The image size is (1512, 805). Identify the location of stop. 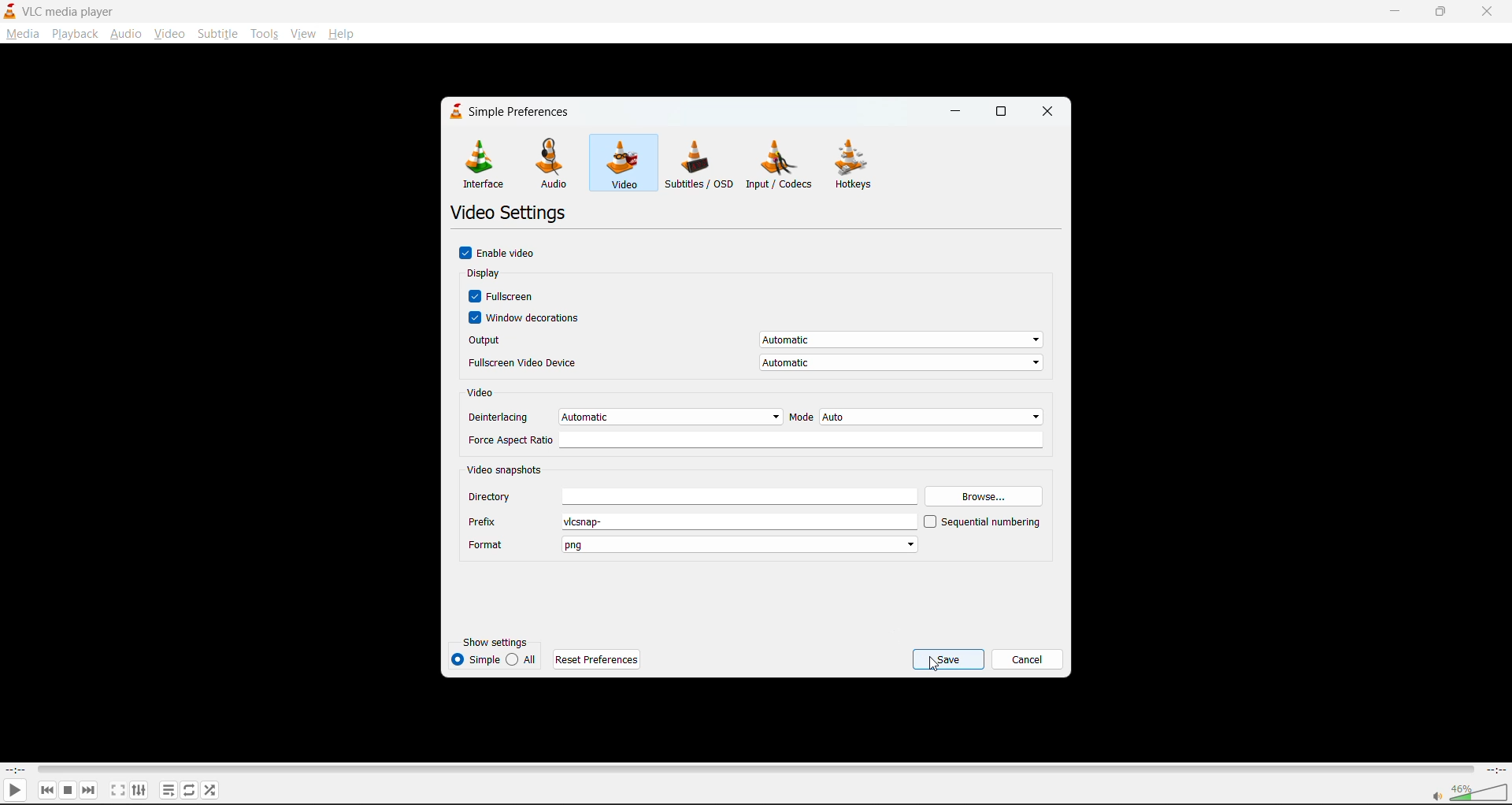
(69, 789).